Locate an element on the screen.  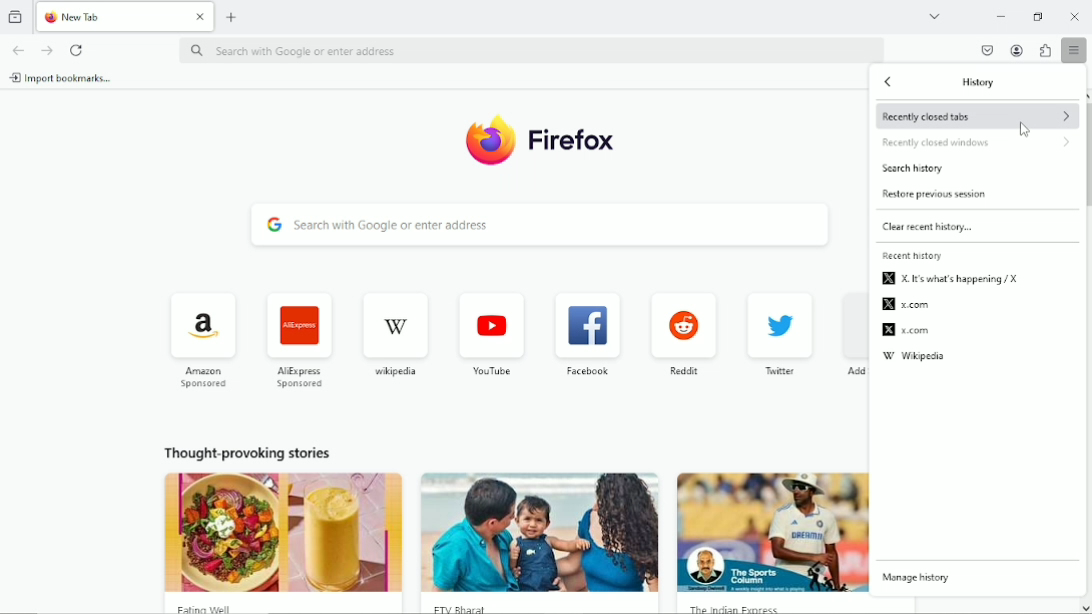
Amazon is located at coordinates (201, 379).